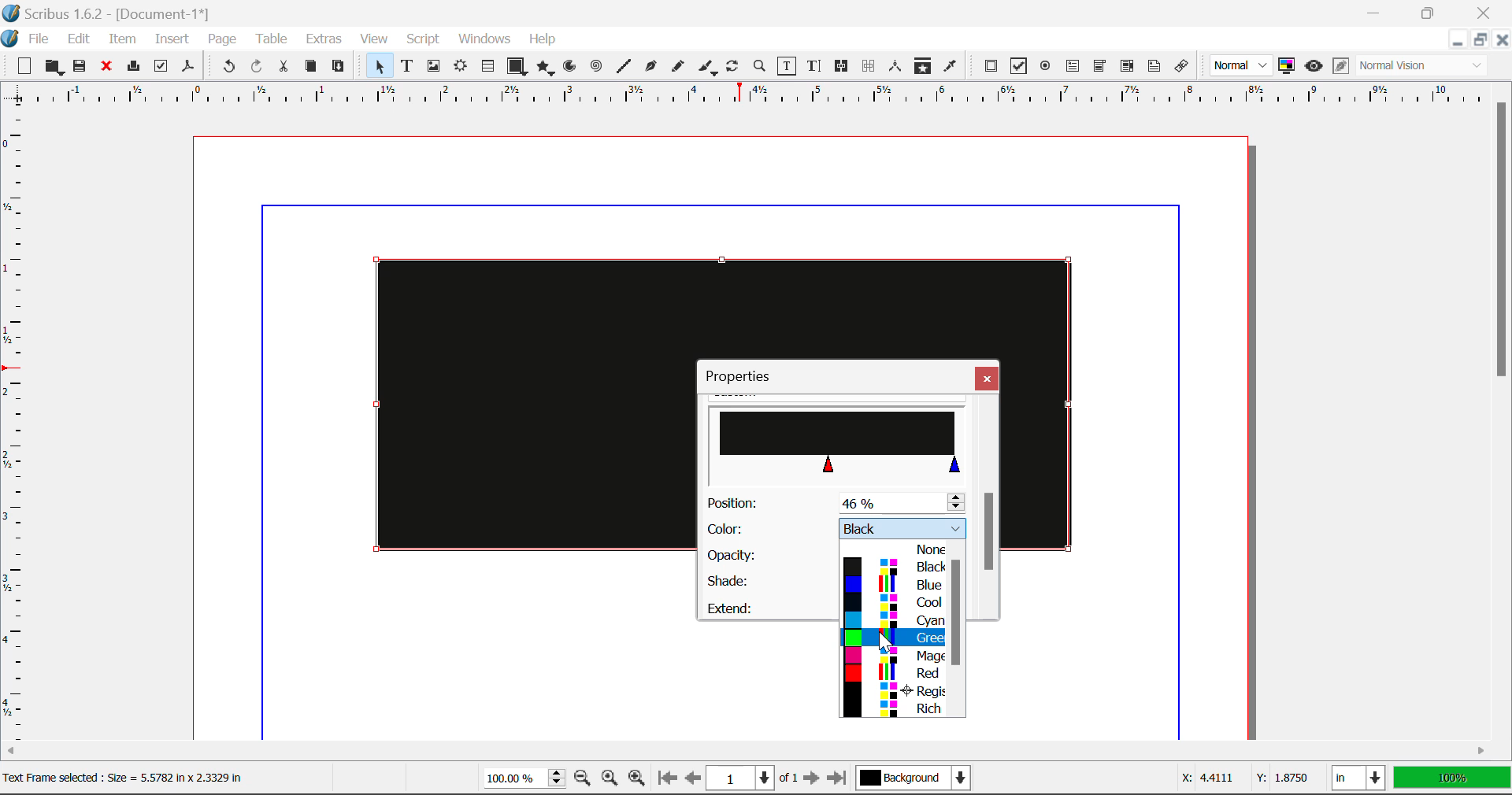 This screenshot has width=1512, height=795. What do you see at coordinates (517, 68) in the screenshot?
I see `Shapes` at bounding box center [517, 68].